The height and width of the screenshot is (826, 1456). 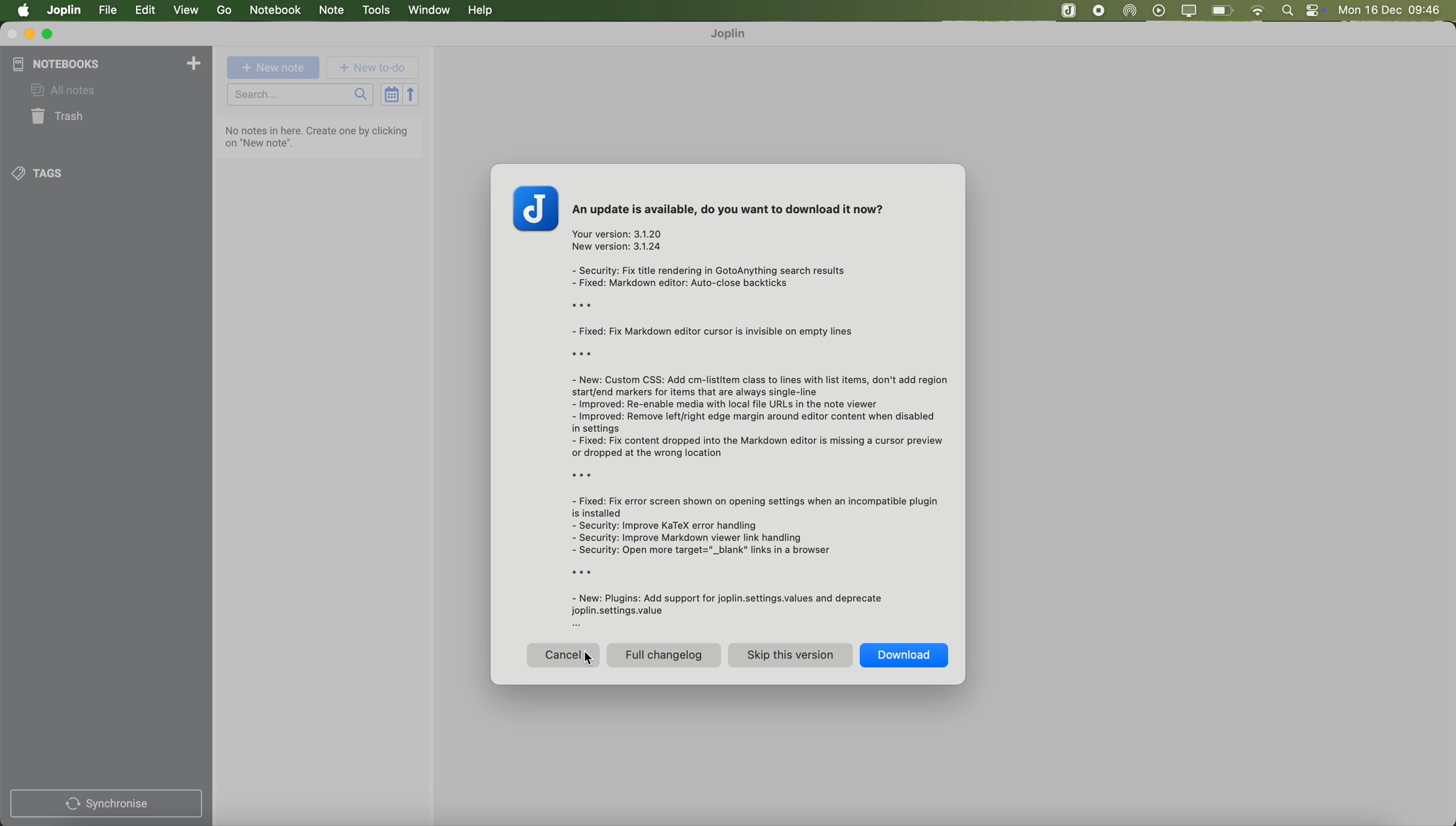 I want to click on notebook, so click(x=275, y=11).